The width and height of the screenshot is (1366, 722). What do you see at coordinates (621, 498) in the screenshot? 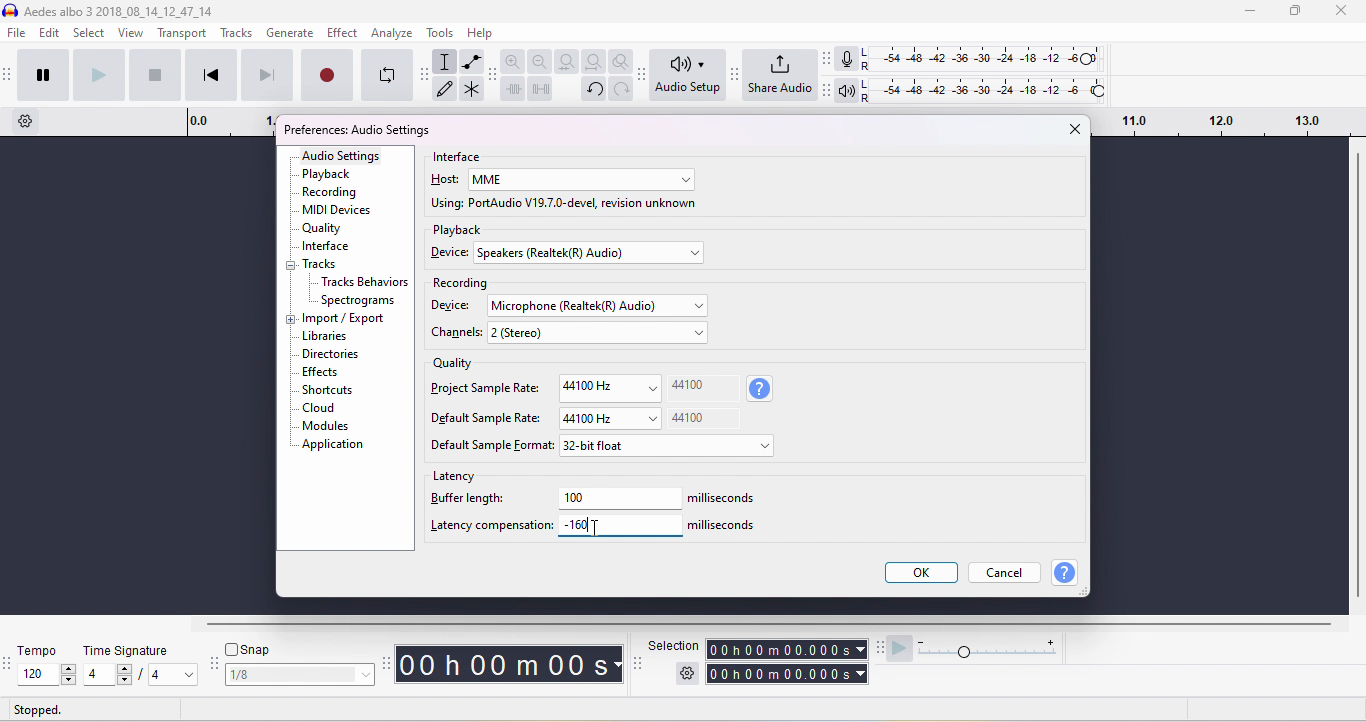
I see `100` at bounding box center [621, 498].